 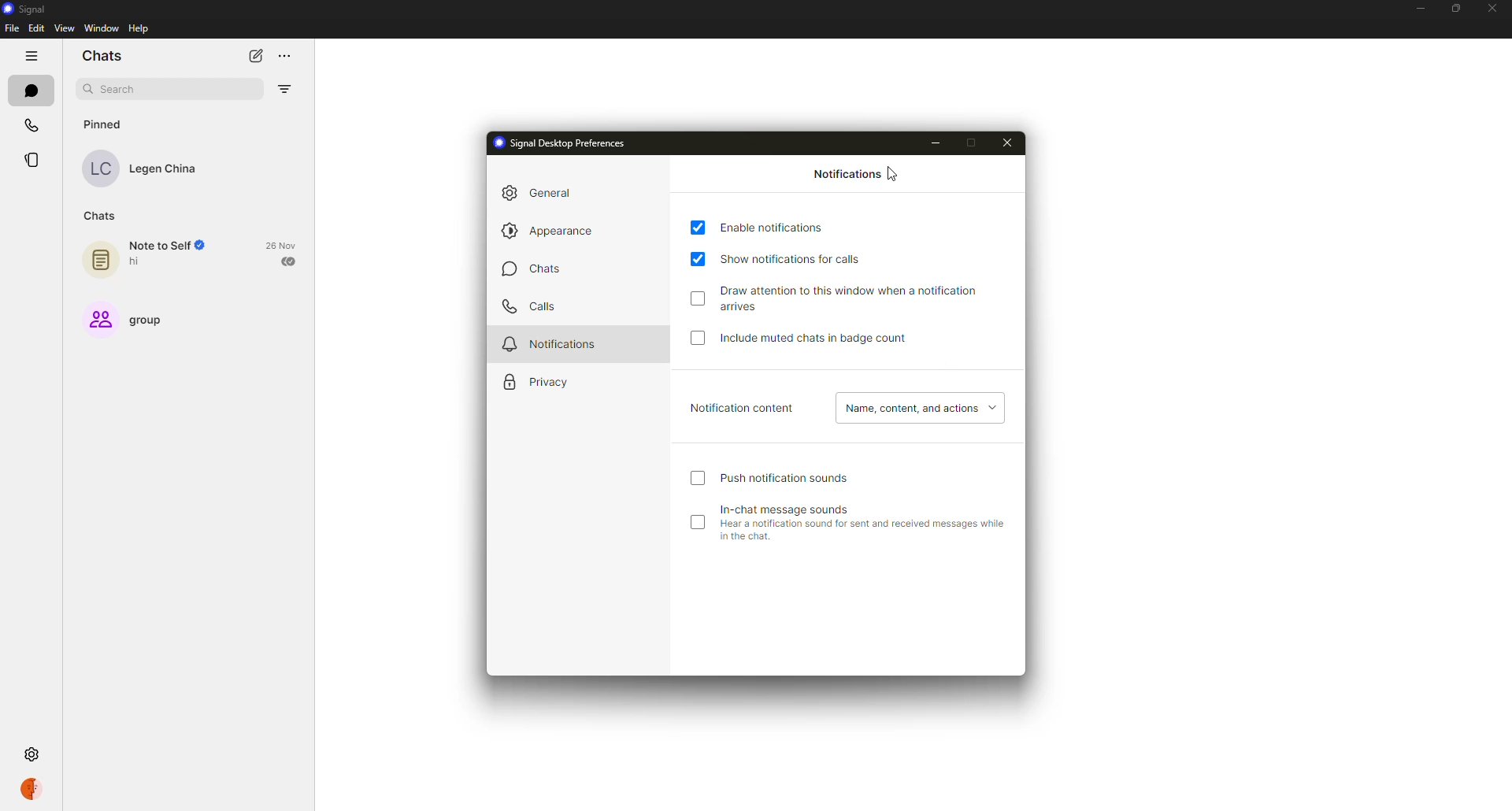 I want to click on stories, so click(x=33, y=160).